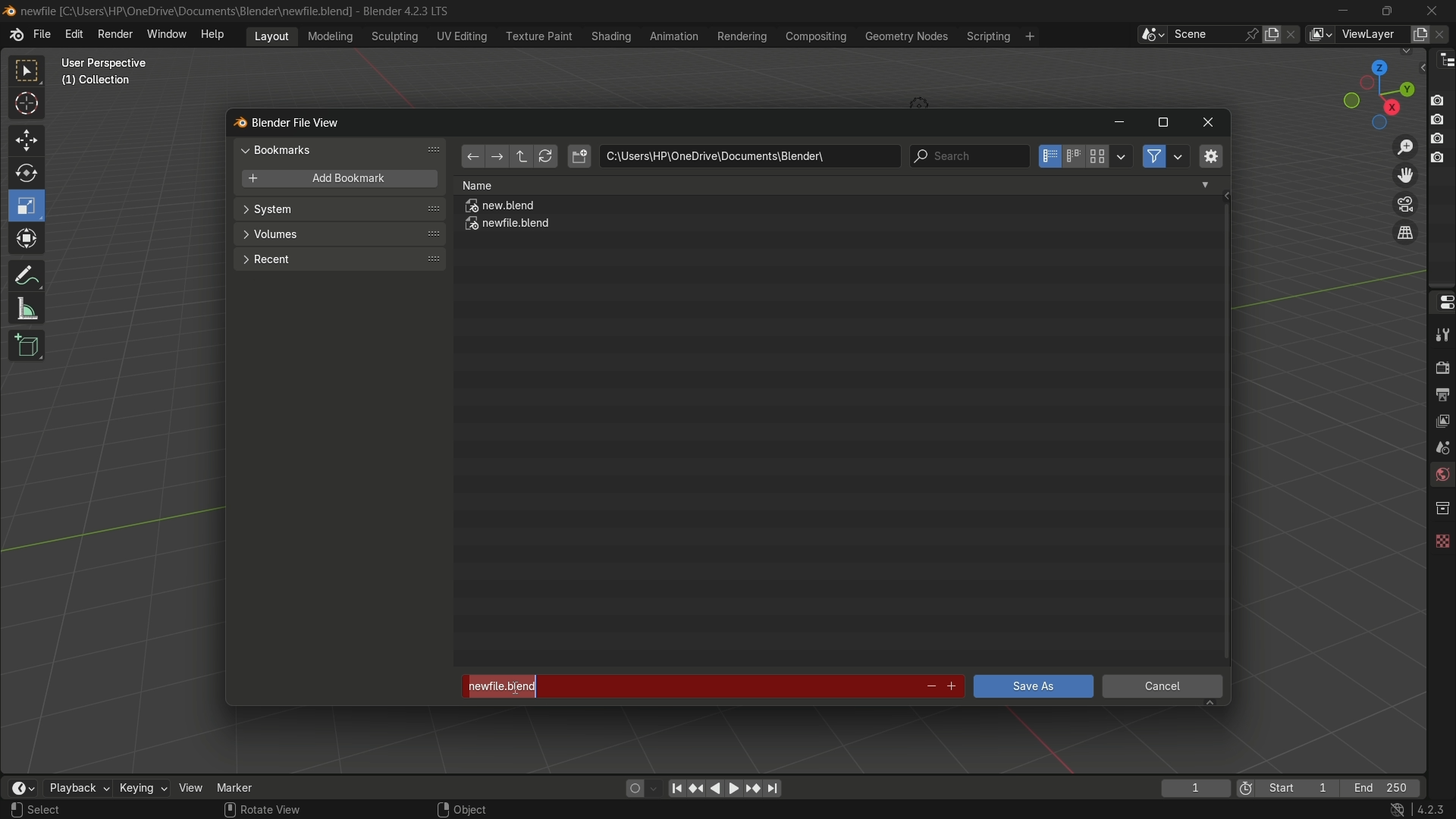  Describe the element at coordinates (1293, 34) in the screenshot. I see `delete scene` at that location.